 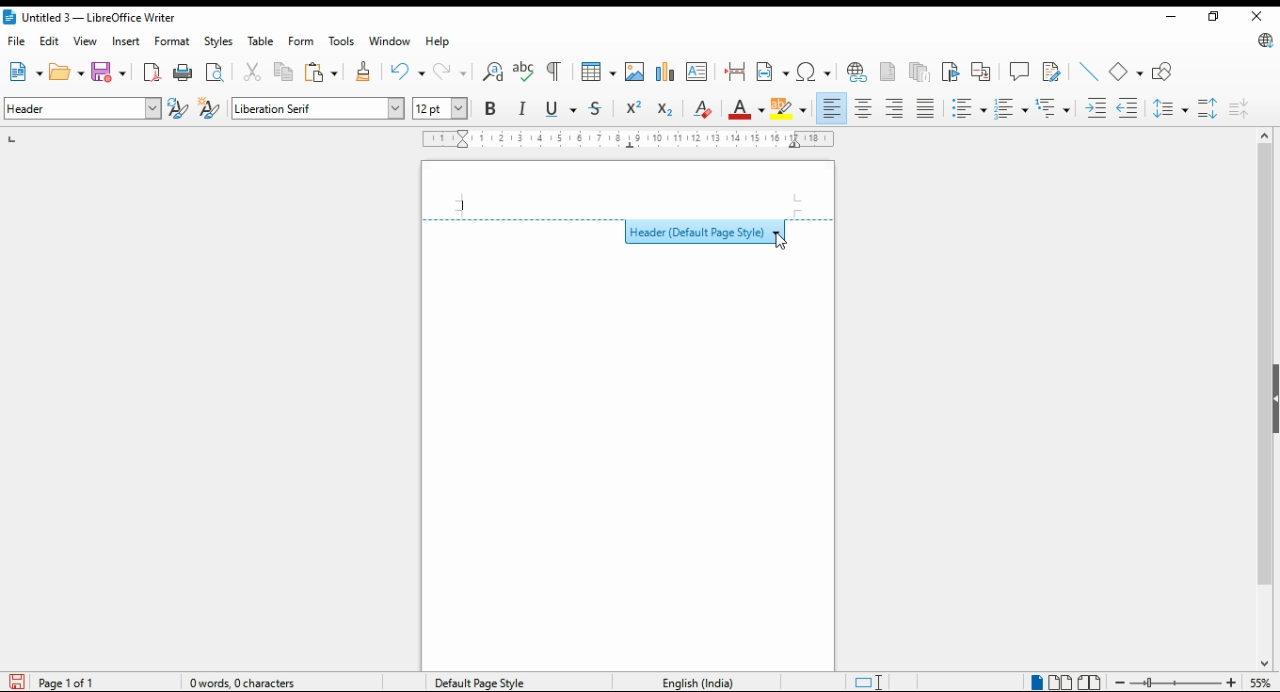 I want to click on close window, so click(x=1256, y=17).